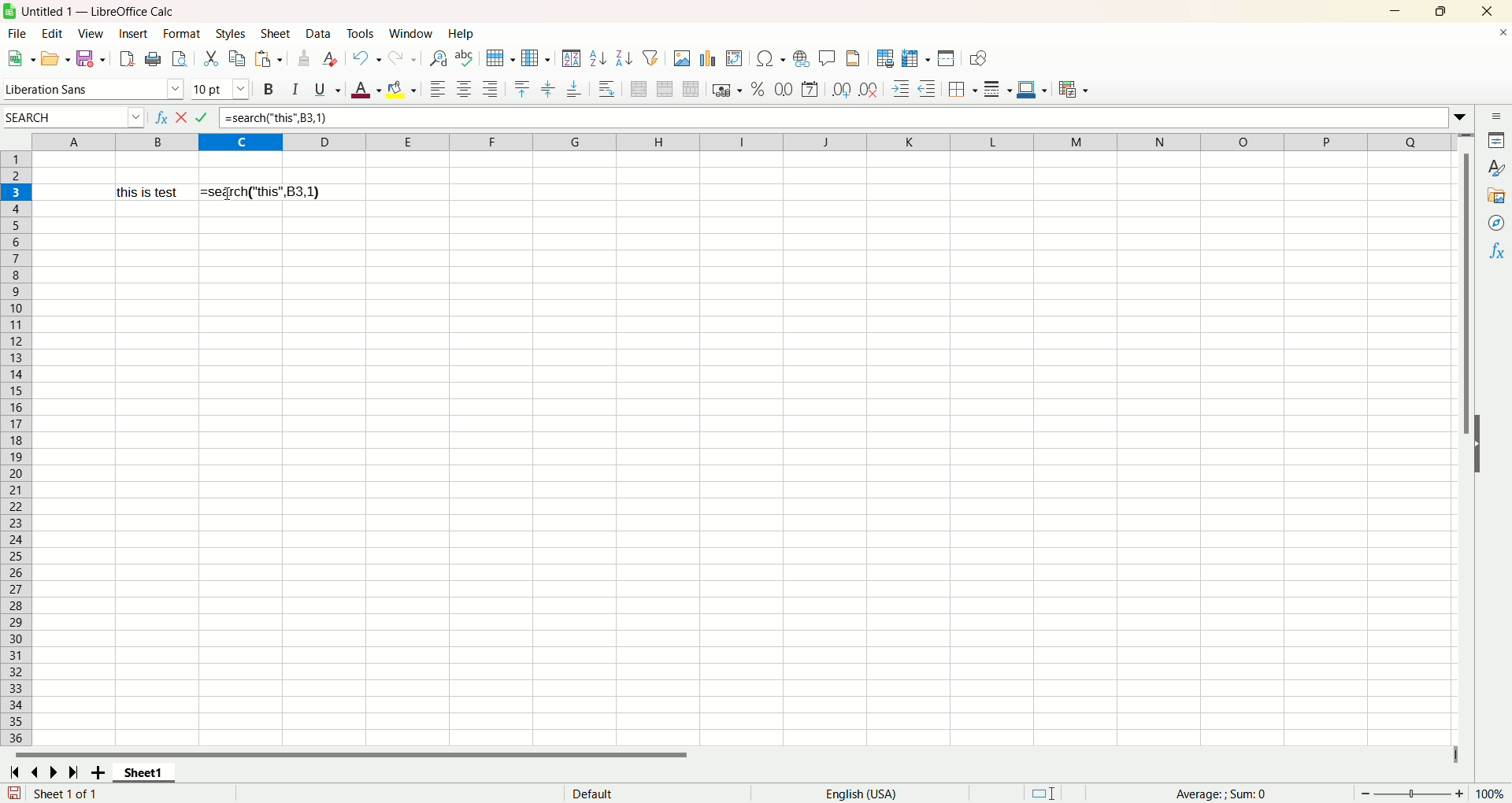  Describe the element at coordinates (182, 35) in the screenshot. I see `format` at that location.